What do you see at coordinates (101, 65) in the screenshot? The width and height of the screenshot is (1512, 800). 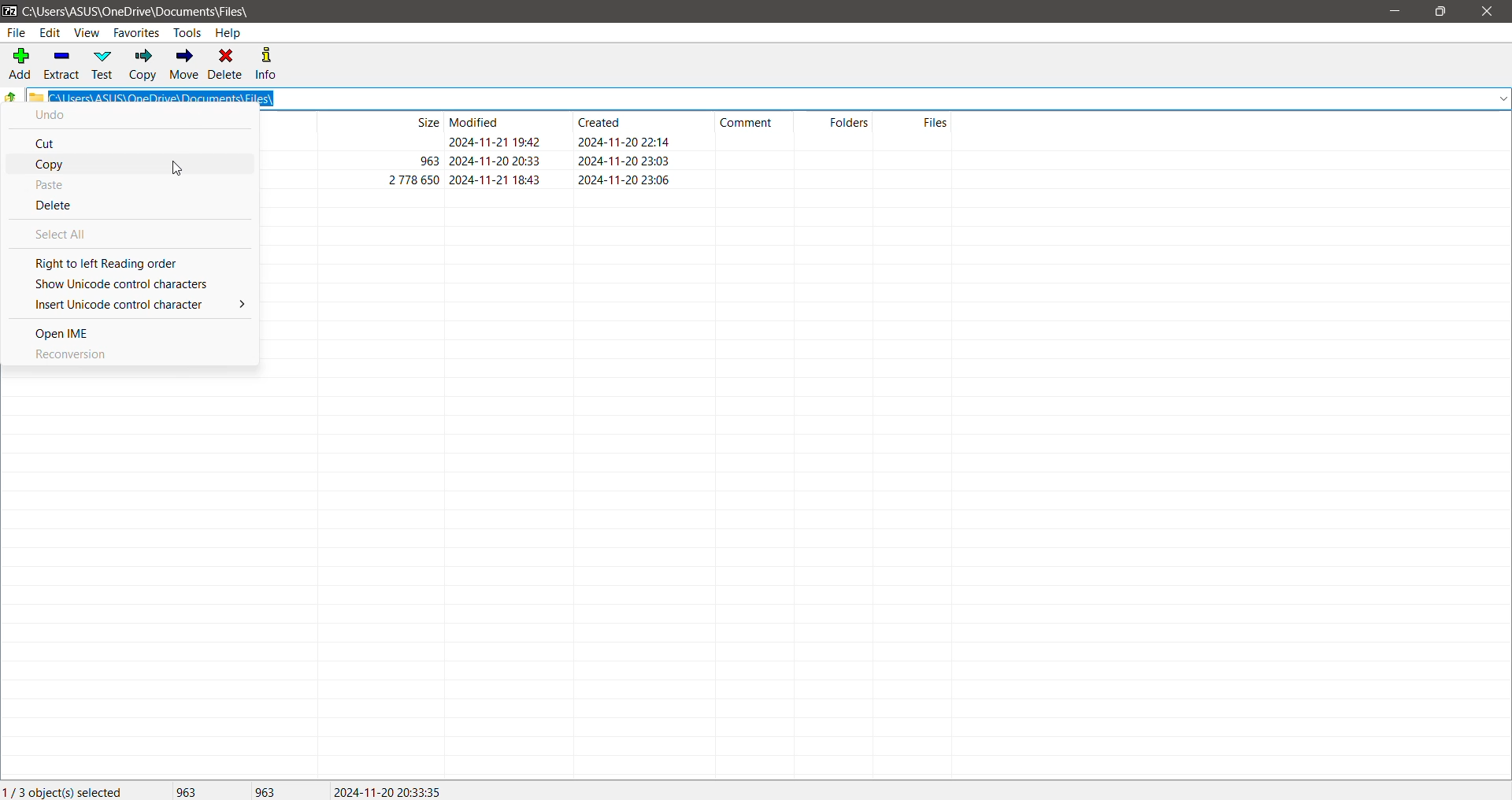 I see `Test` at bounding box center [101, 65].